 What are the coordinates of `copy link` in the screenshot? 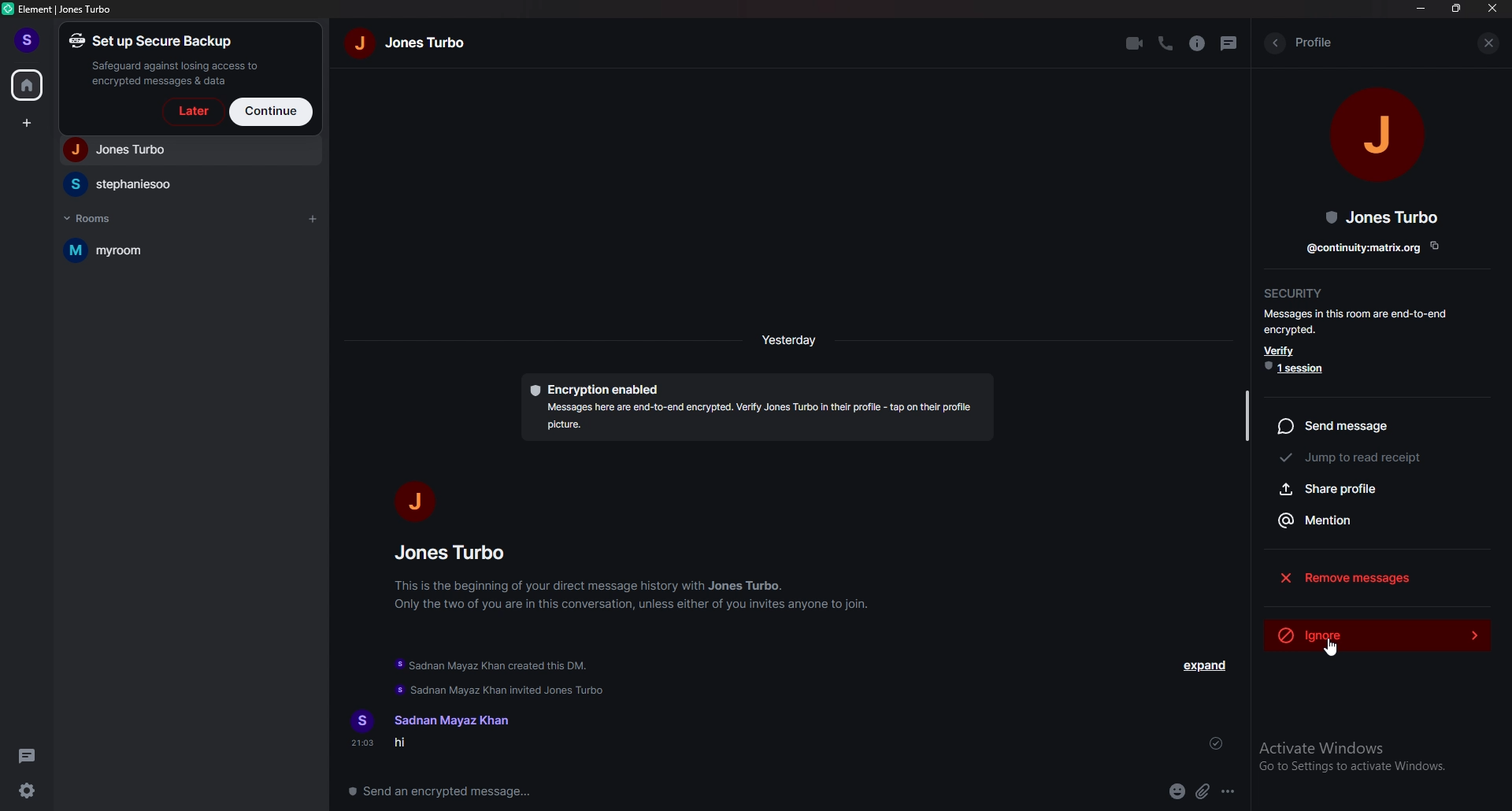 It's located at (1374, 246).